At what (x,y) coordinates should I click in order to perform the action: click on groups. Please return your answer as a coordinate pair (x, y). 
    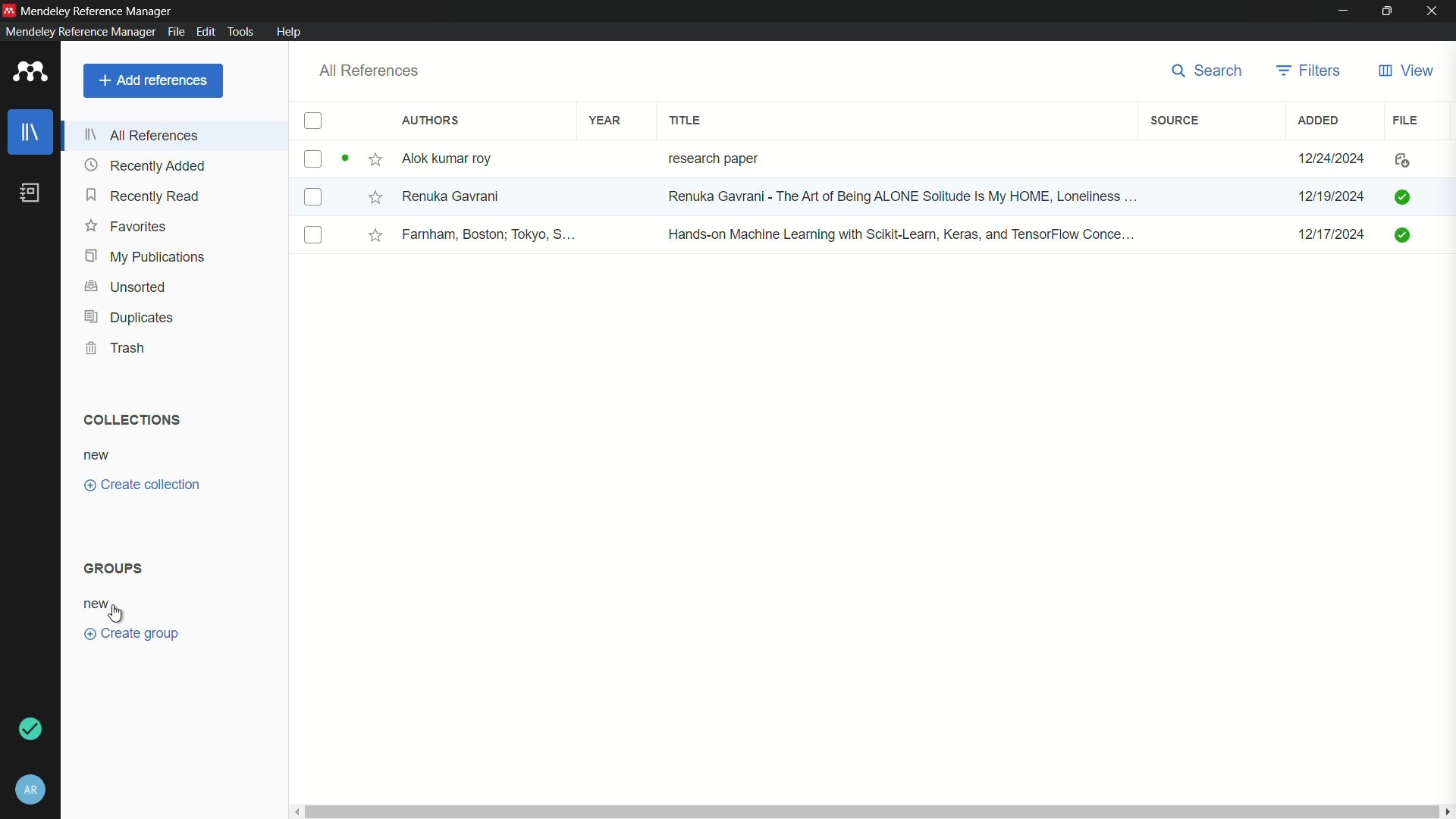
    Looking at the image, I should click on (115, 569).